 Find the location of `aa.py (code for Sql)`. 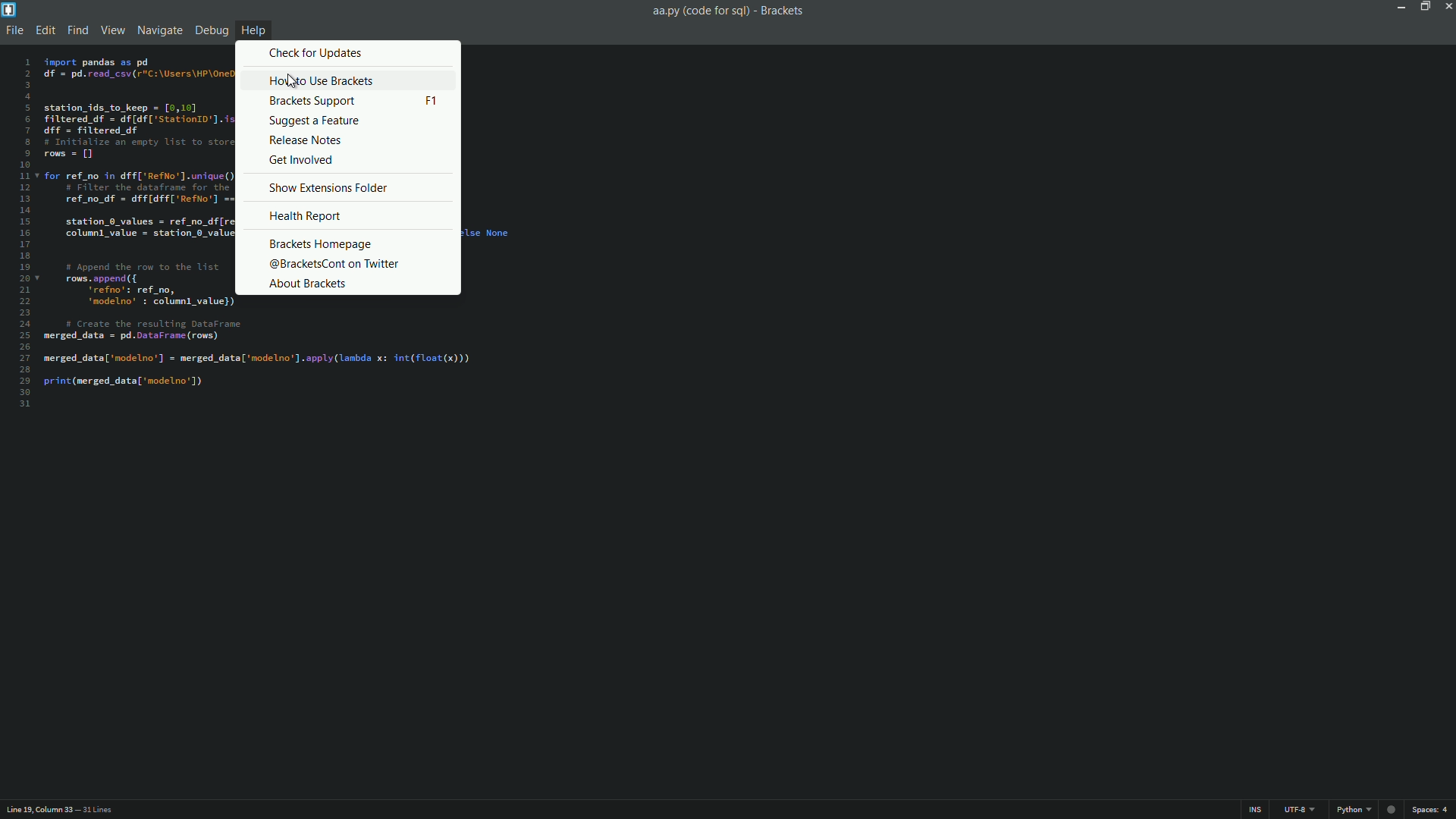

aa.py (code for Sql) is located at coordinates (699, 11).